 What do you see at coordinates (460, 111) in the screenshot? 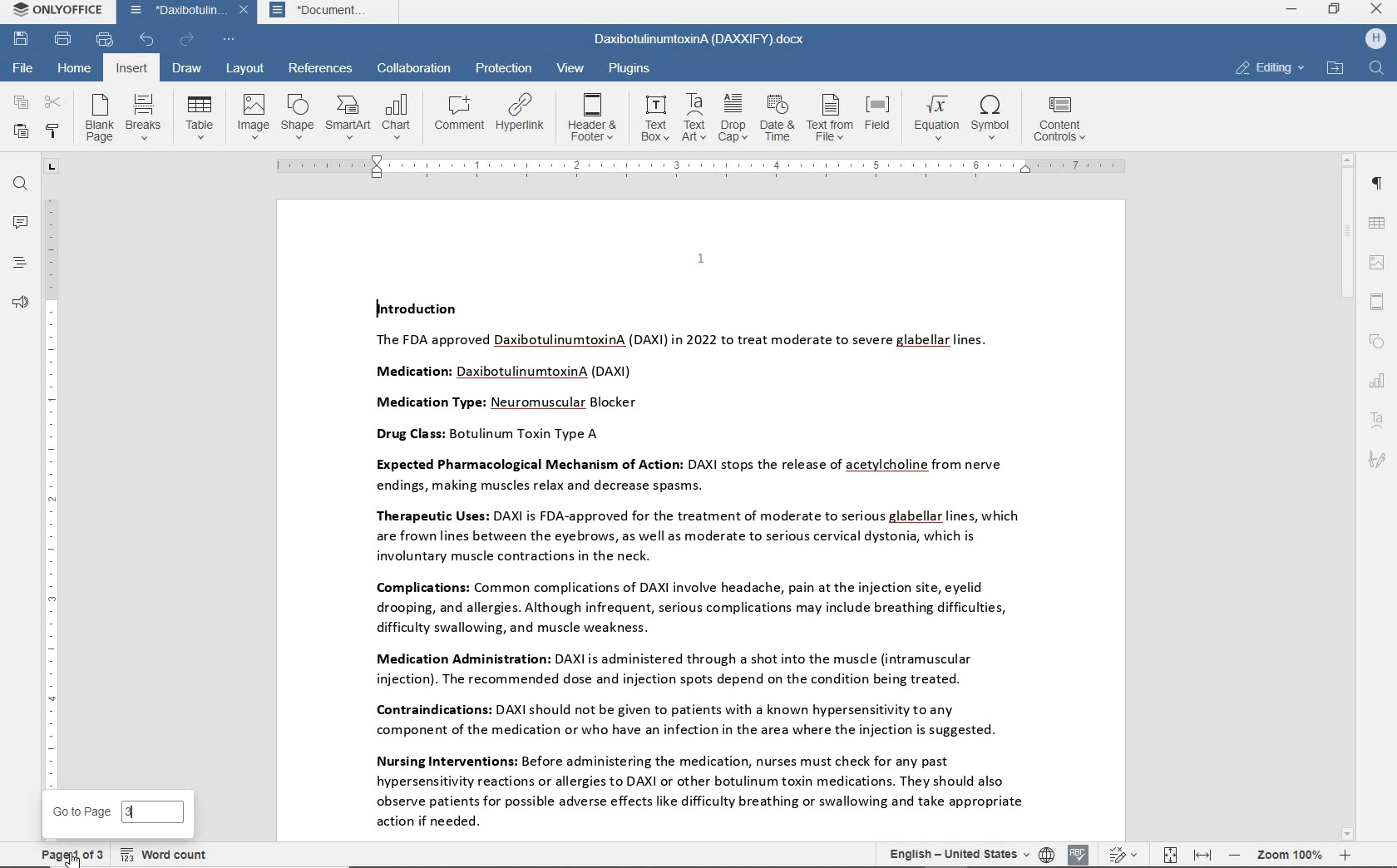
I see `comment` at bounding box center [460, 111].